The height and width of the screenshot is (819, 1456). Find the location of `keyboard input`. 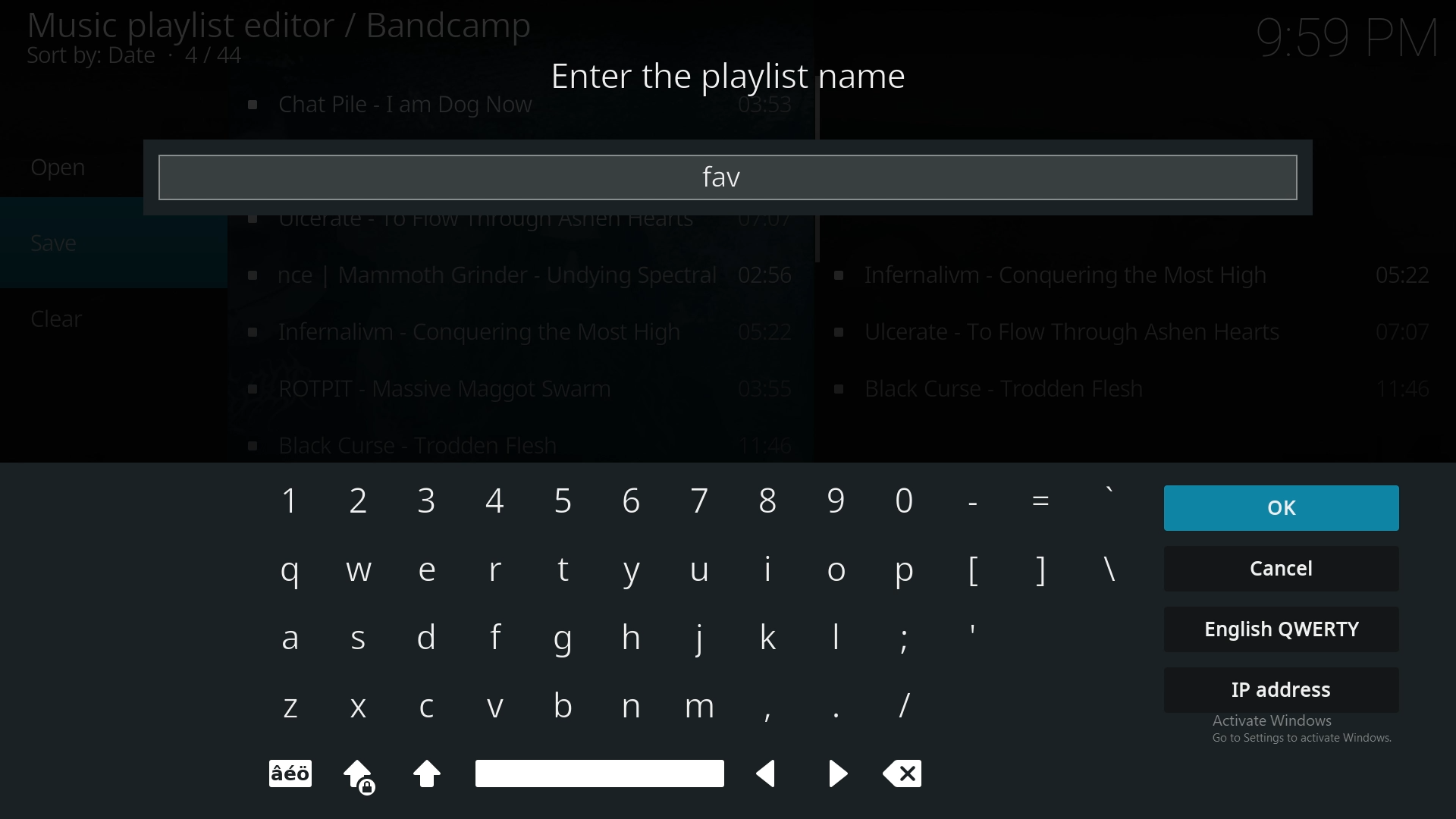

keyboard input is located at coordinates (635, 576).